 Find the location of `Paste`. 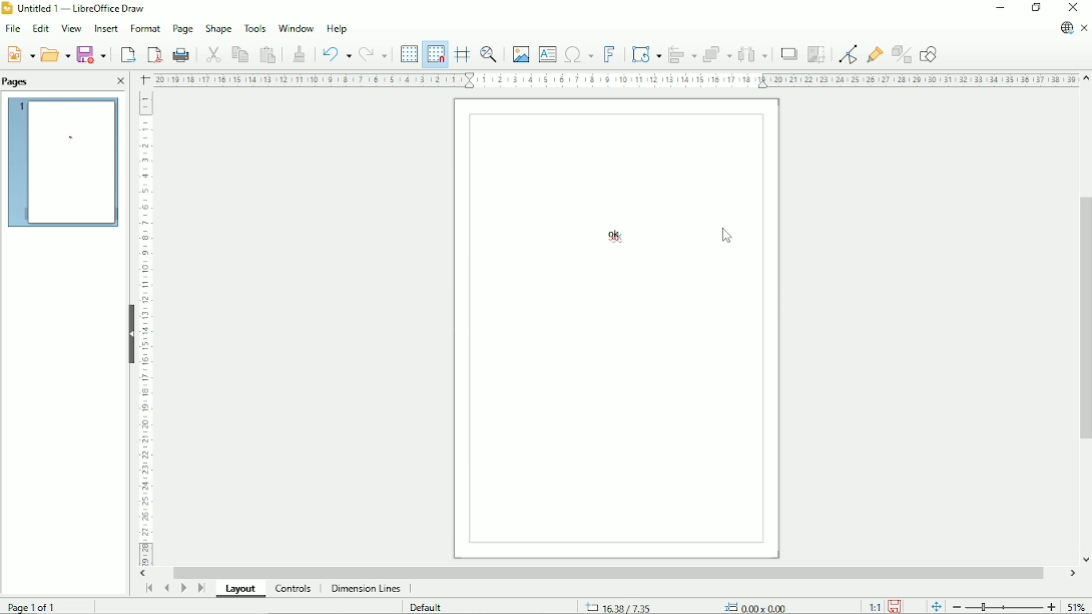

Paste is located at coordinates (269, 54).